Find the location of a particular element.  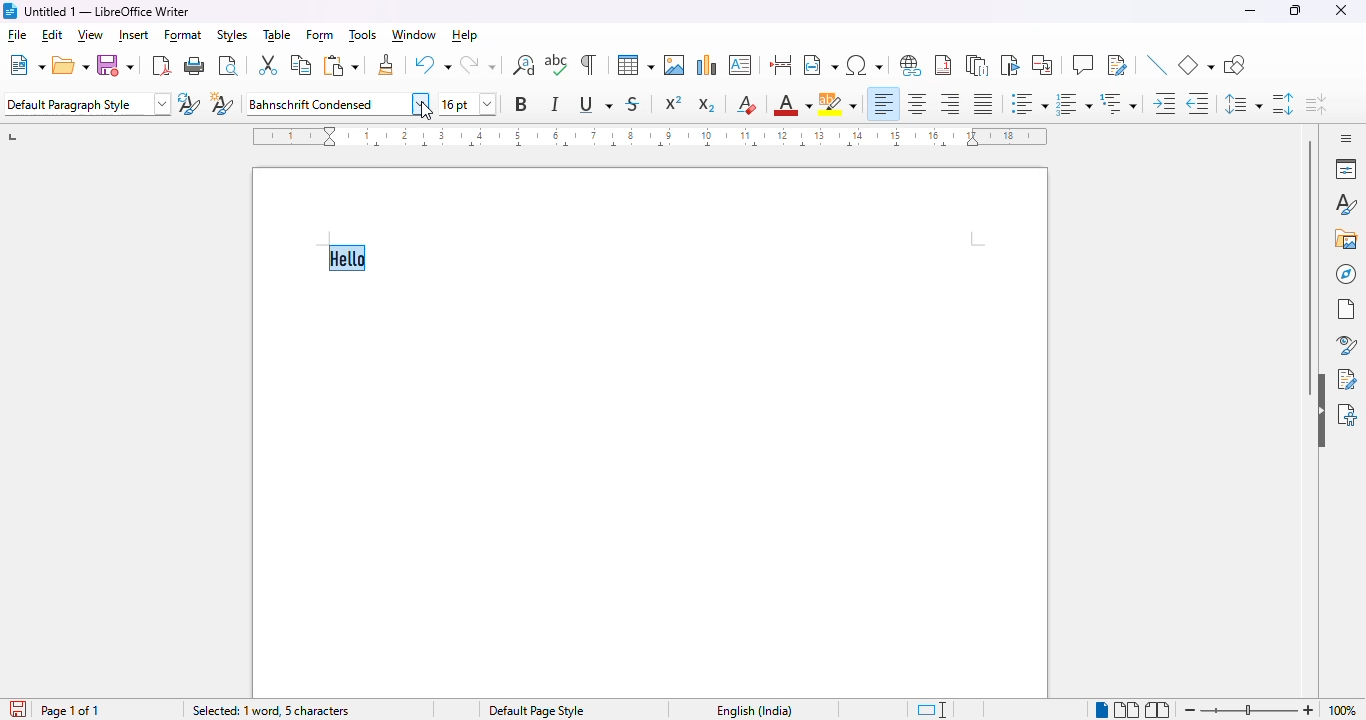

underline is located at coordinates (595, 105).